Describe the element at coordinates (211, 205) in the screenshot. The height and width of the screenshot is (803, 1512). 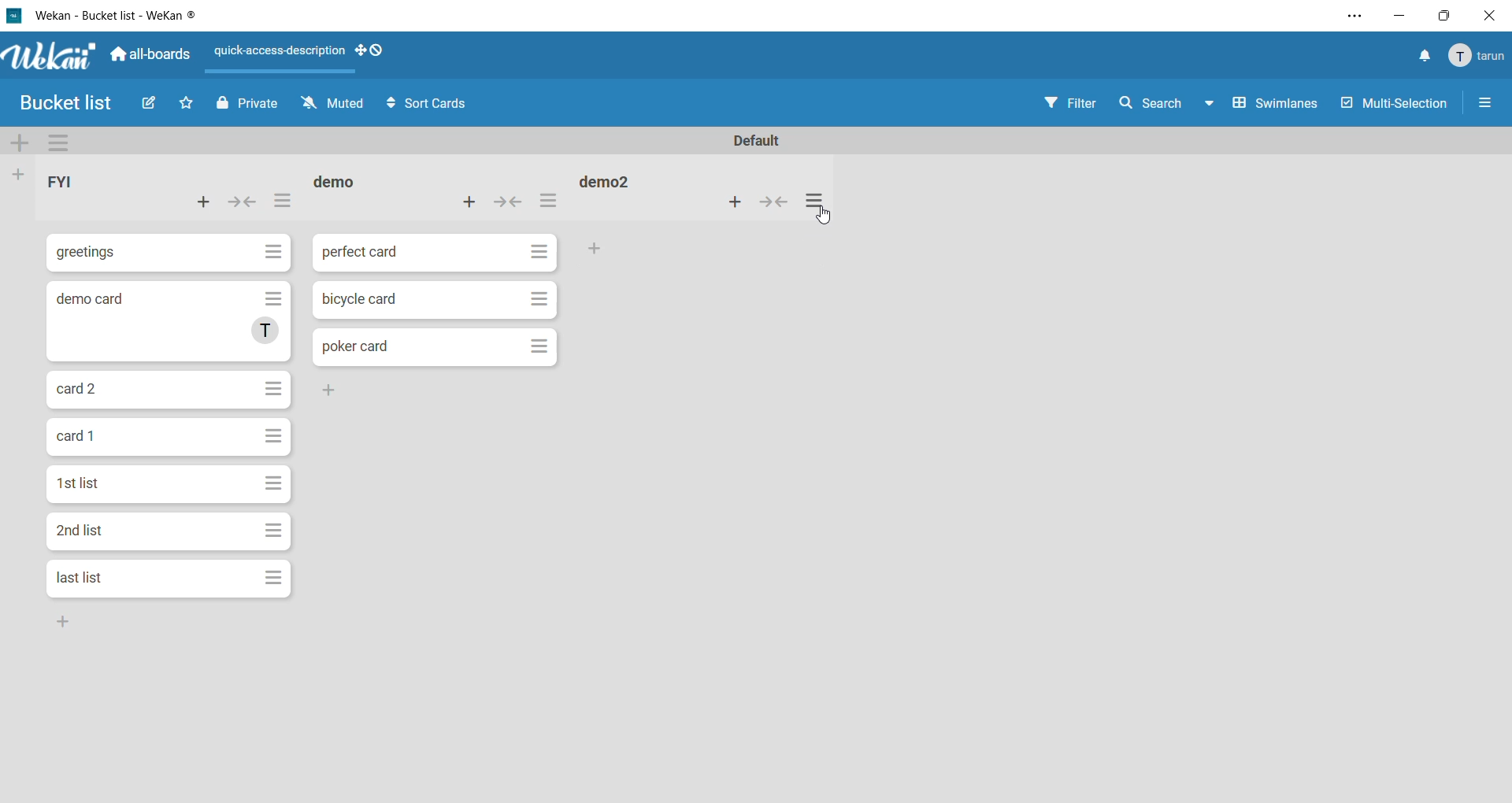
I see `add card` at that location.